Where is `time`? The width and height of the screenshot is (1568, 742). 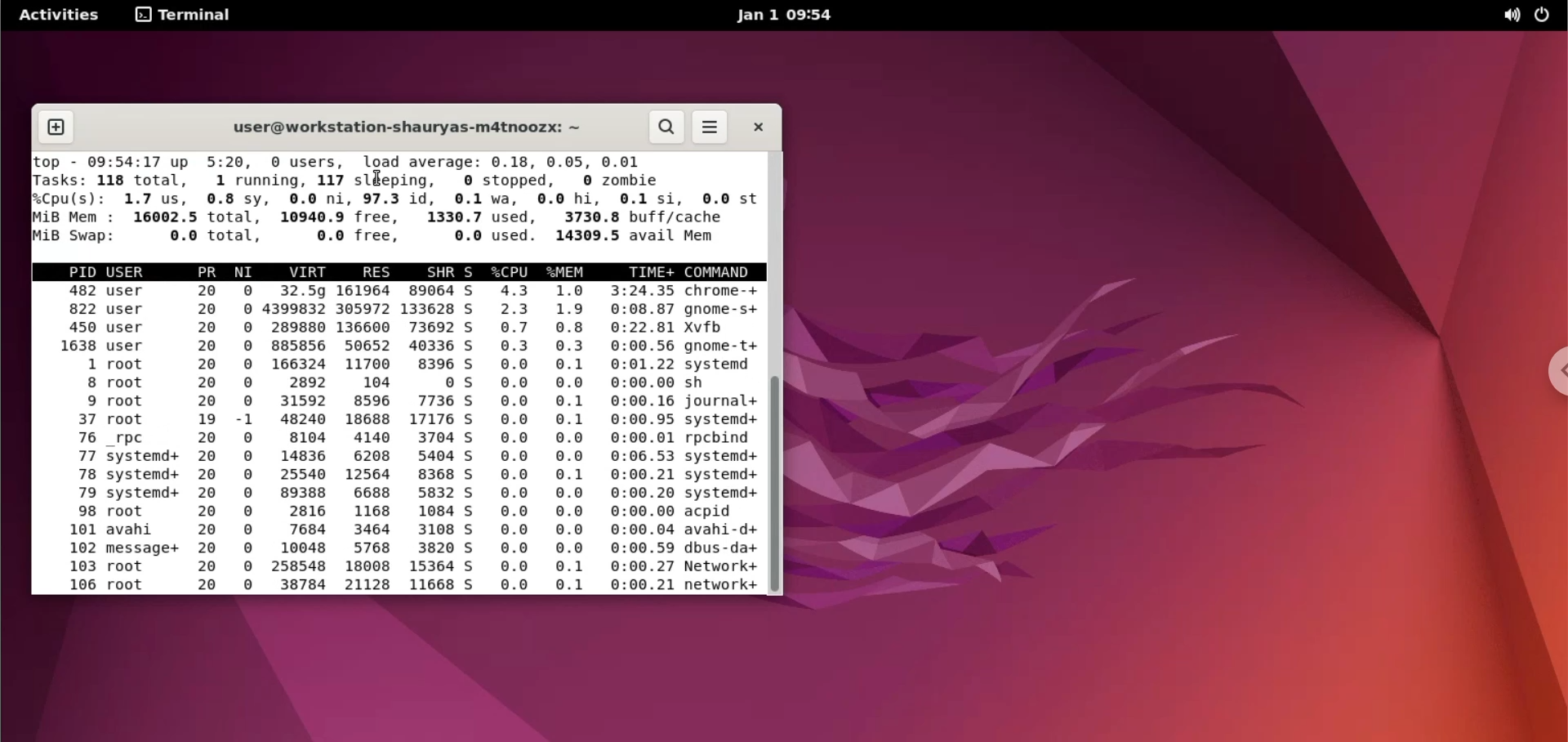
time is located at coordinates (639, 440).